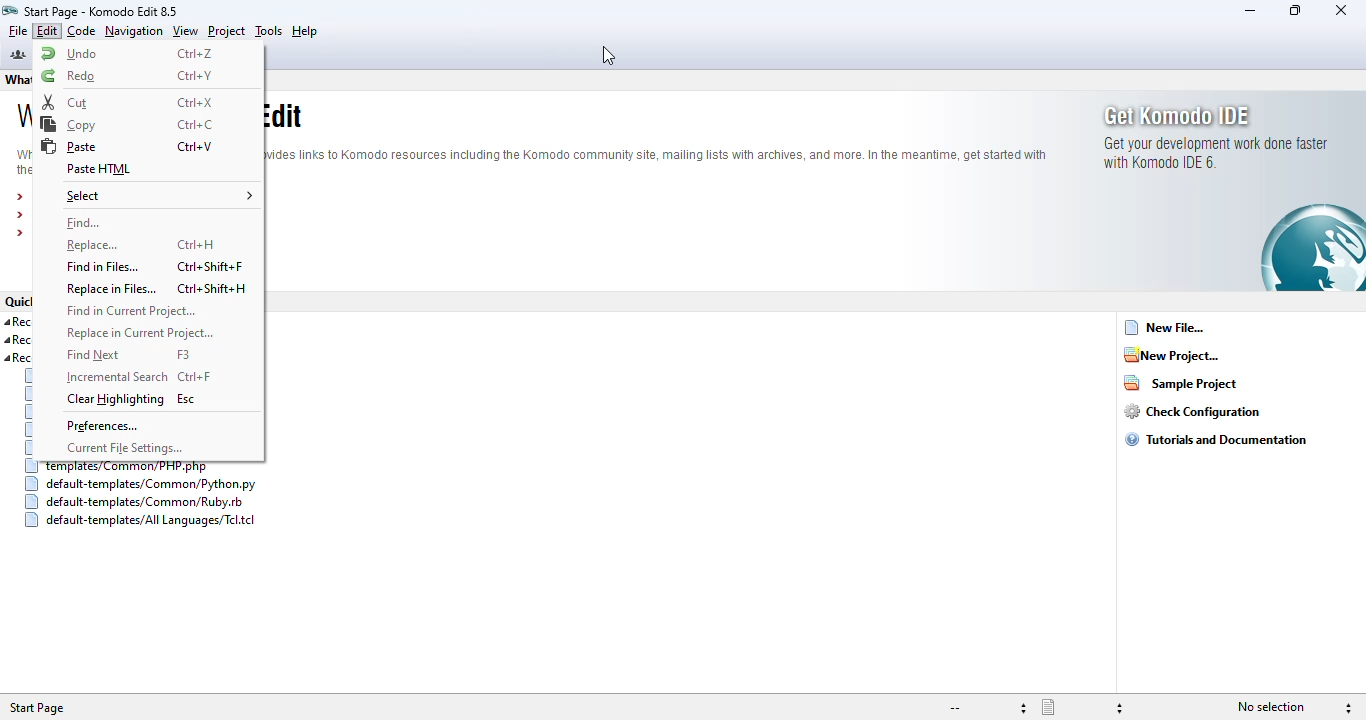  Describe the element at coordinates (987, 708) in the screenshot. I see `file encoding` at that location.